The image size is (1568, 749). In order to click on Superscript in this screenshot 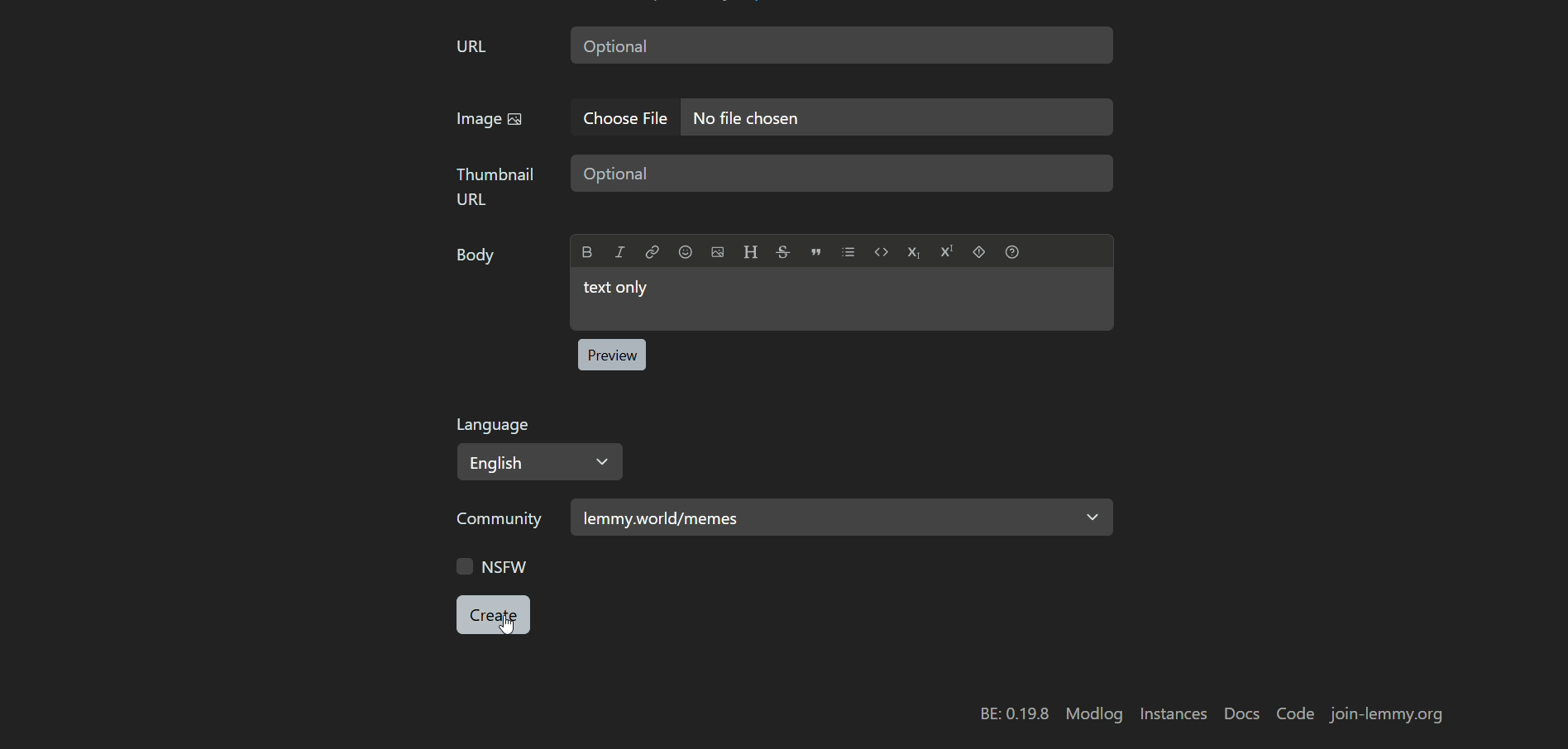, I will do `click(947, 251)`.